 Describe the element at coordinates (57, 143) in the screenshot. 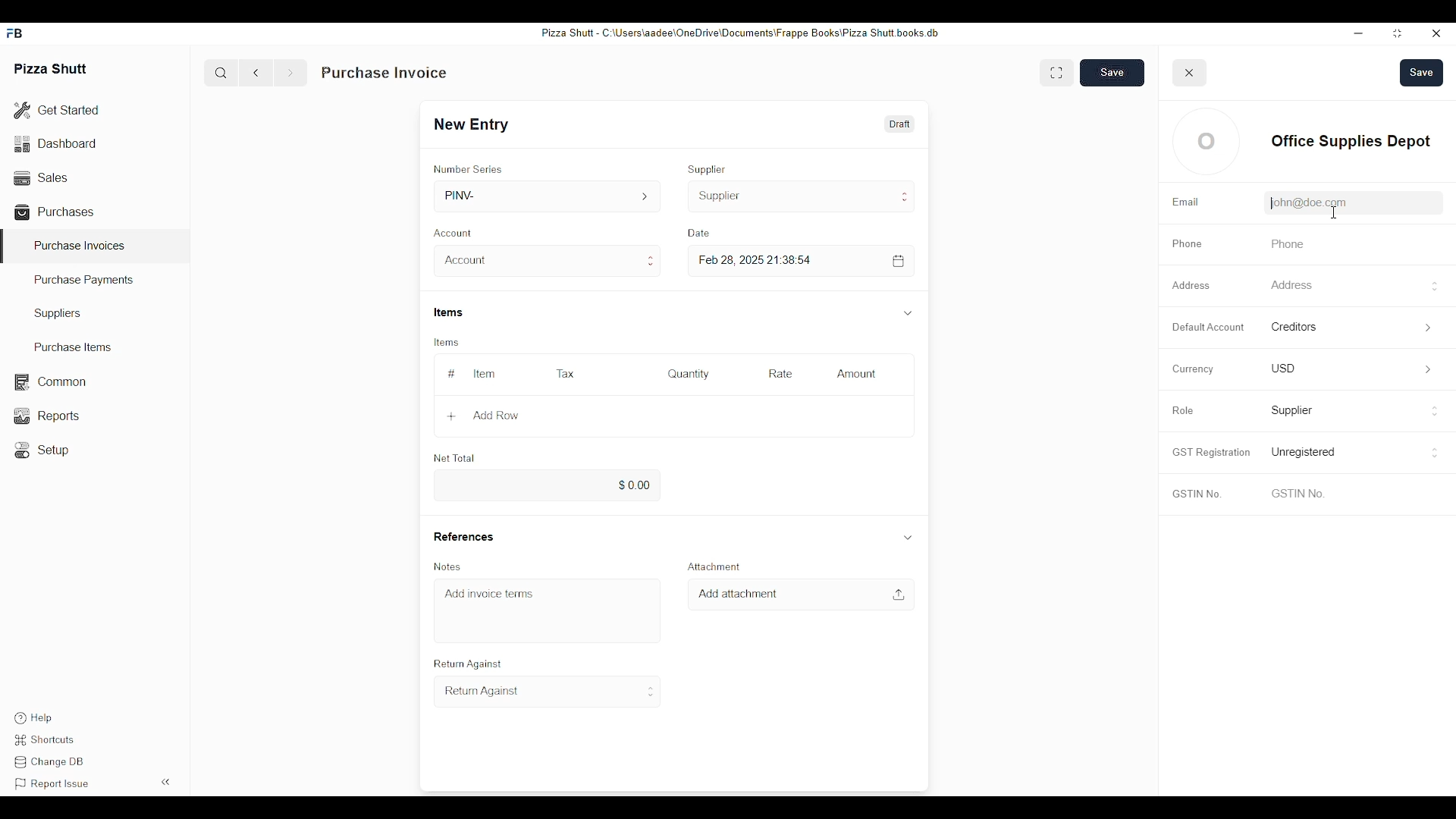

I see `Dashboard` at that location.